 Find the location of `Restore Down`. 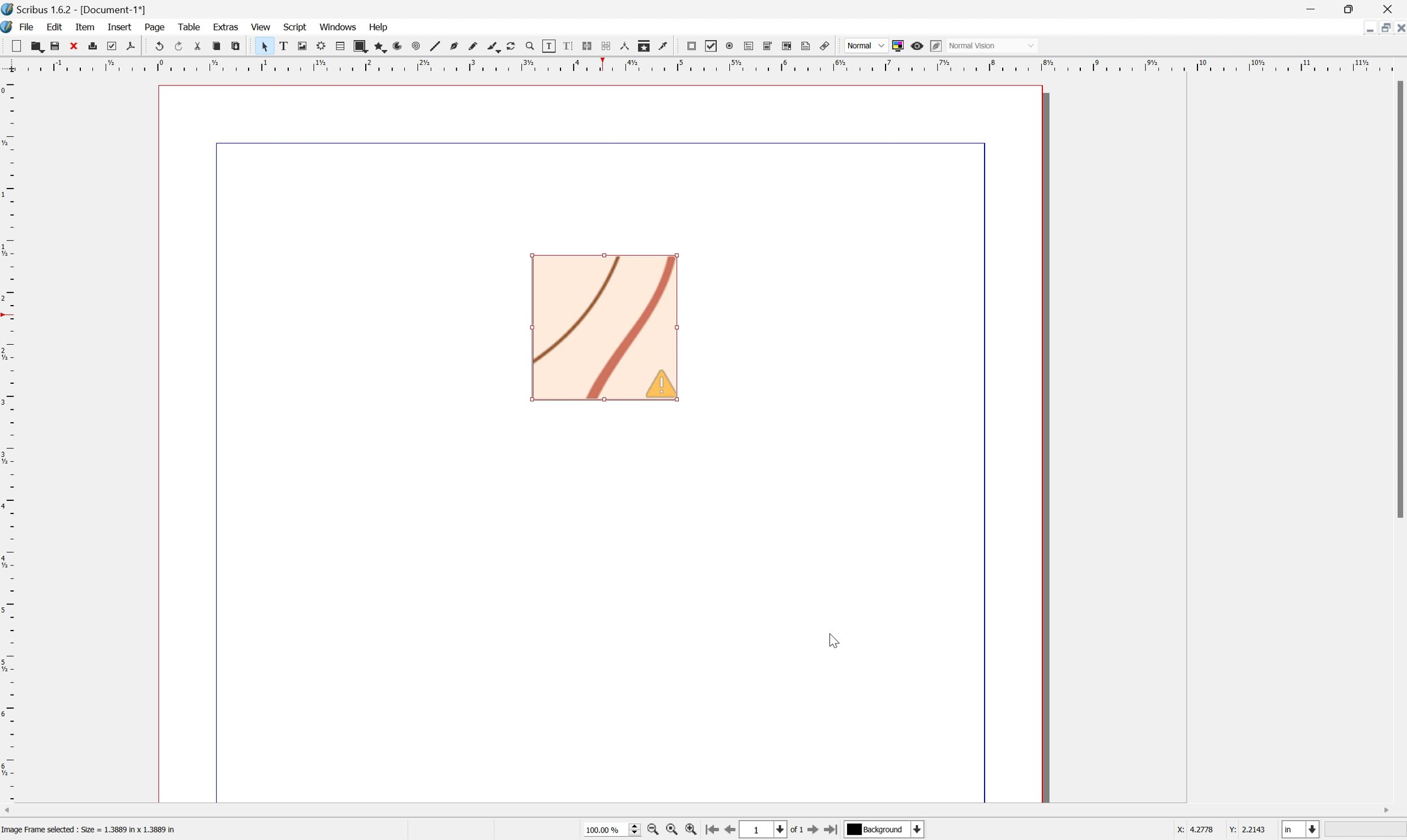

Restore Down is located at coordinates (1368, 31).